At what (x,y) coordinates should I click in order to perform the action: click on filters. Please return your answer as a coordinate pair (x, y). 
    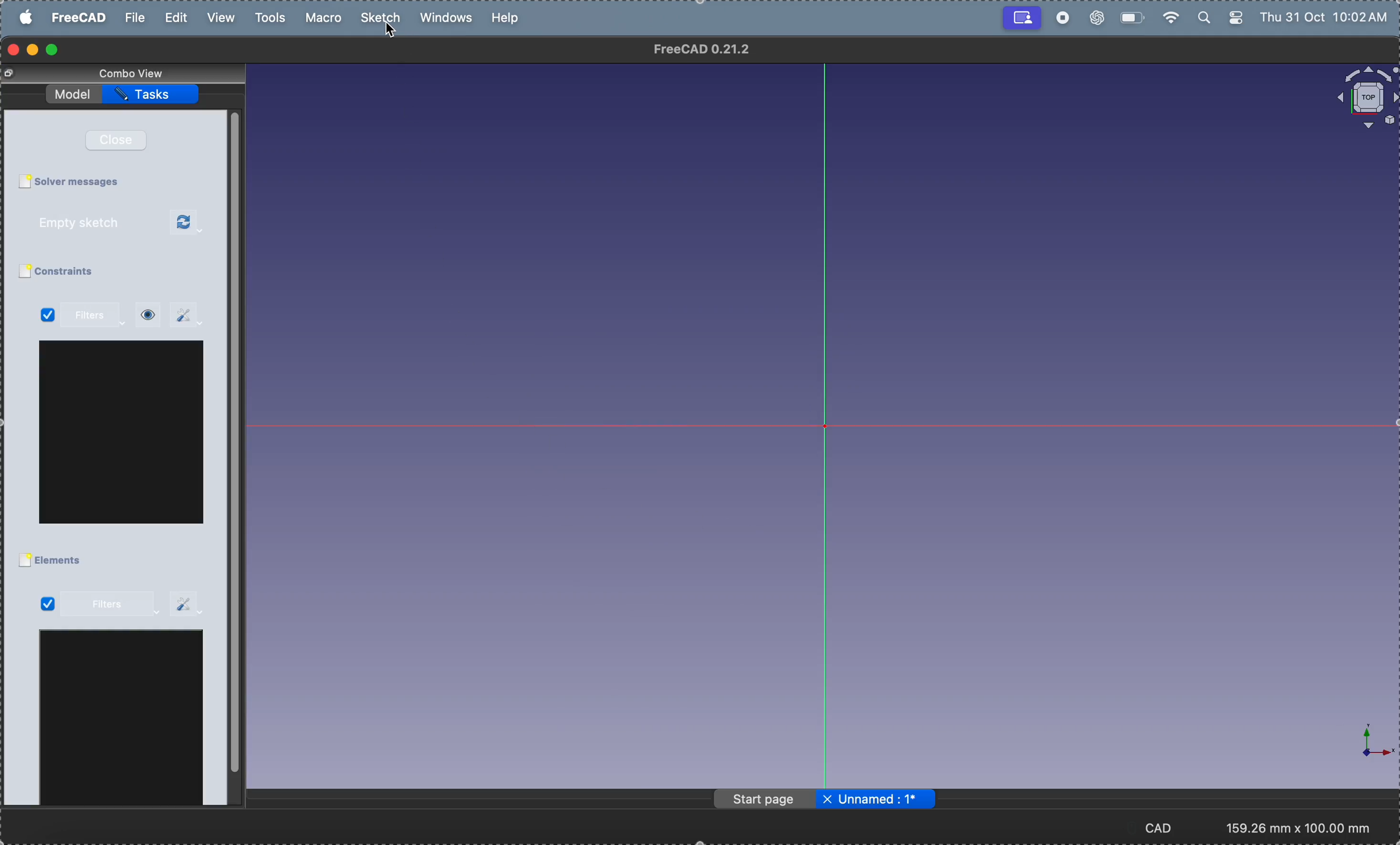
    Looking at the image, I should click on (110, 605).